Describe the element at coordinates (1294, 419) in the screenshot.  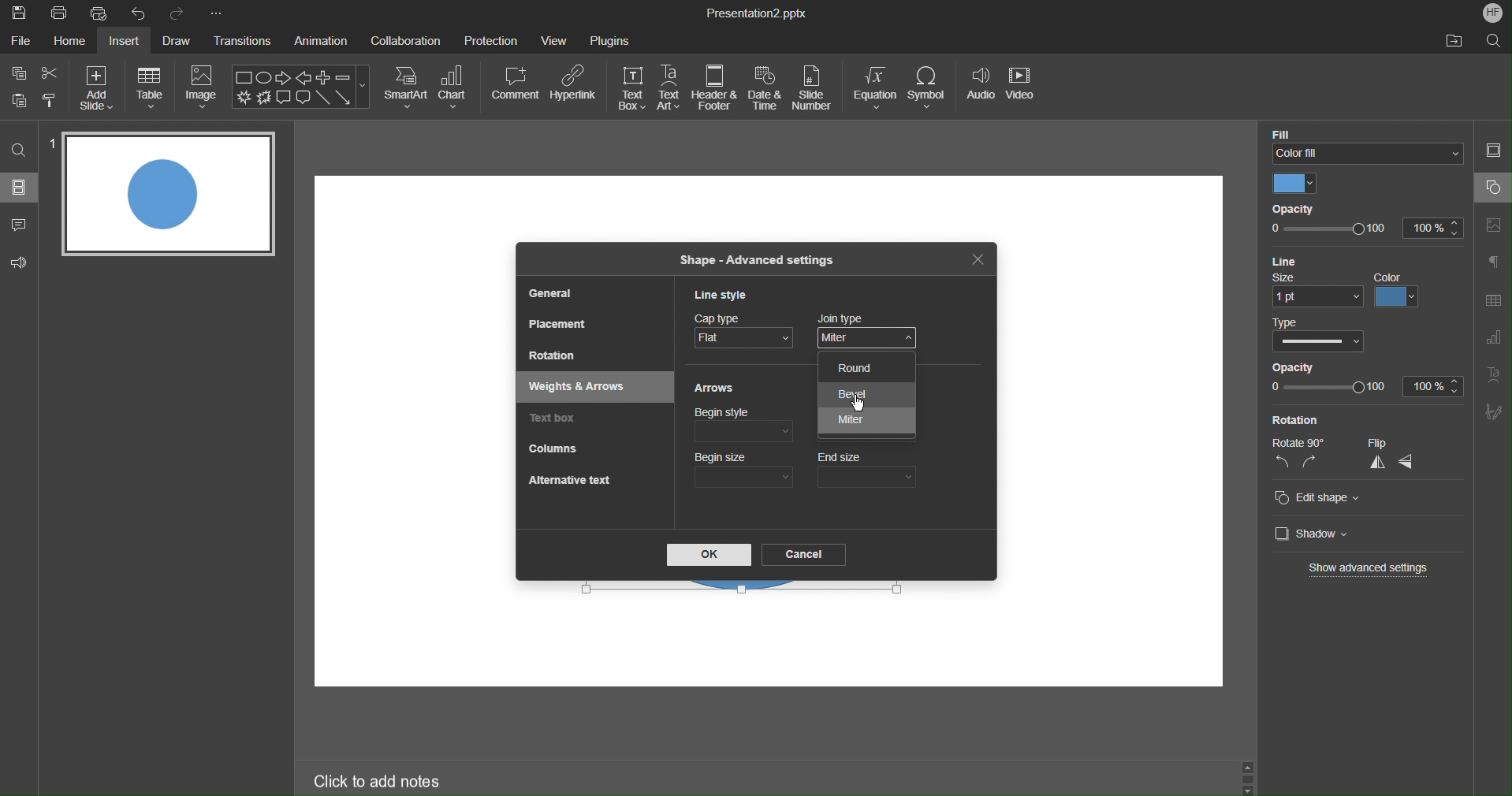
I see `Rotation` at that location.